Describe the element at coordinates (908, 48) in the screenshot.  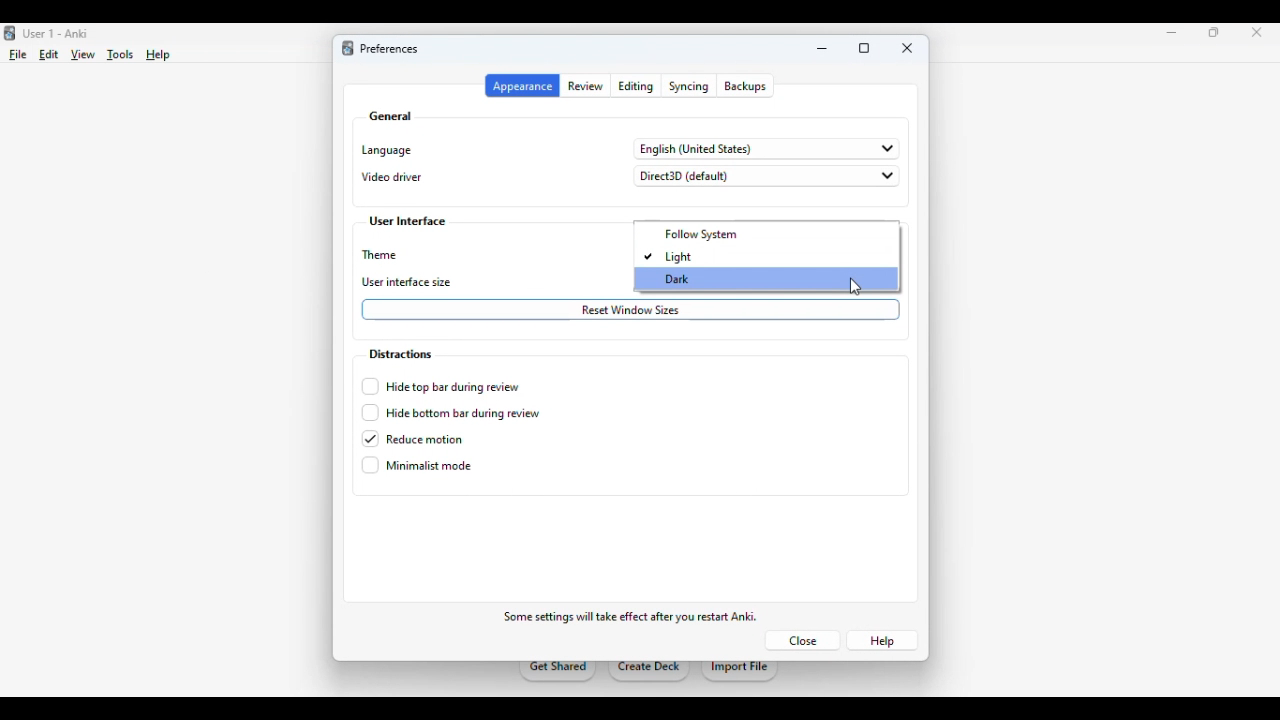
I see `close` at that location.